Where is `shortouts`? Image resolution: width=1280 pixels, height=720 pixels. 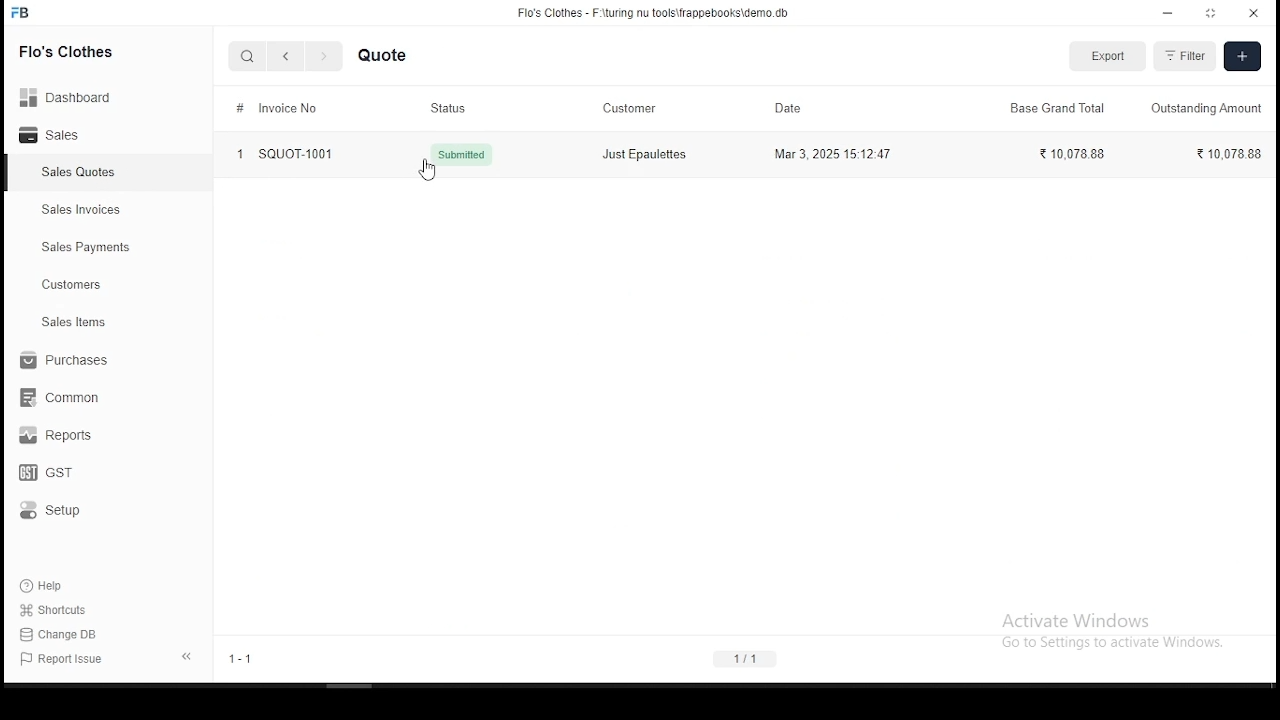 shortouts is located at coordinates (54, 610).